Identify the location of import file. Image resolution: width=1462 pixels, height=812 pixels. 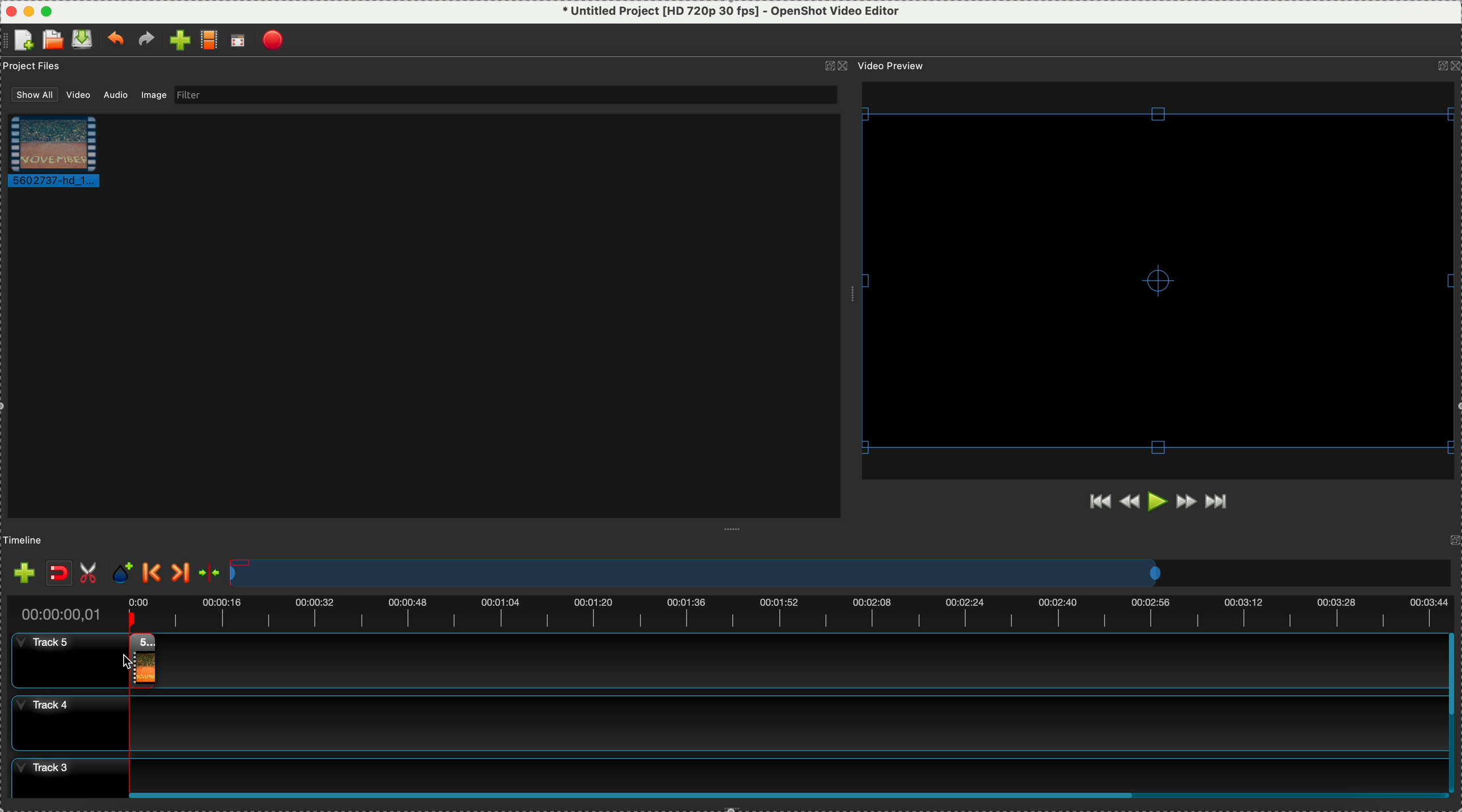
(176, 40).